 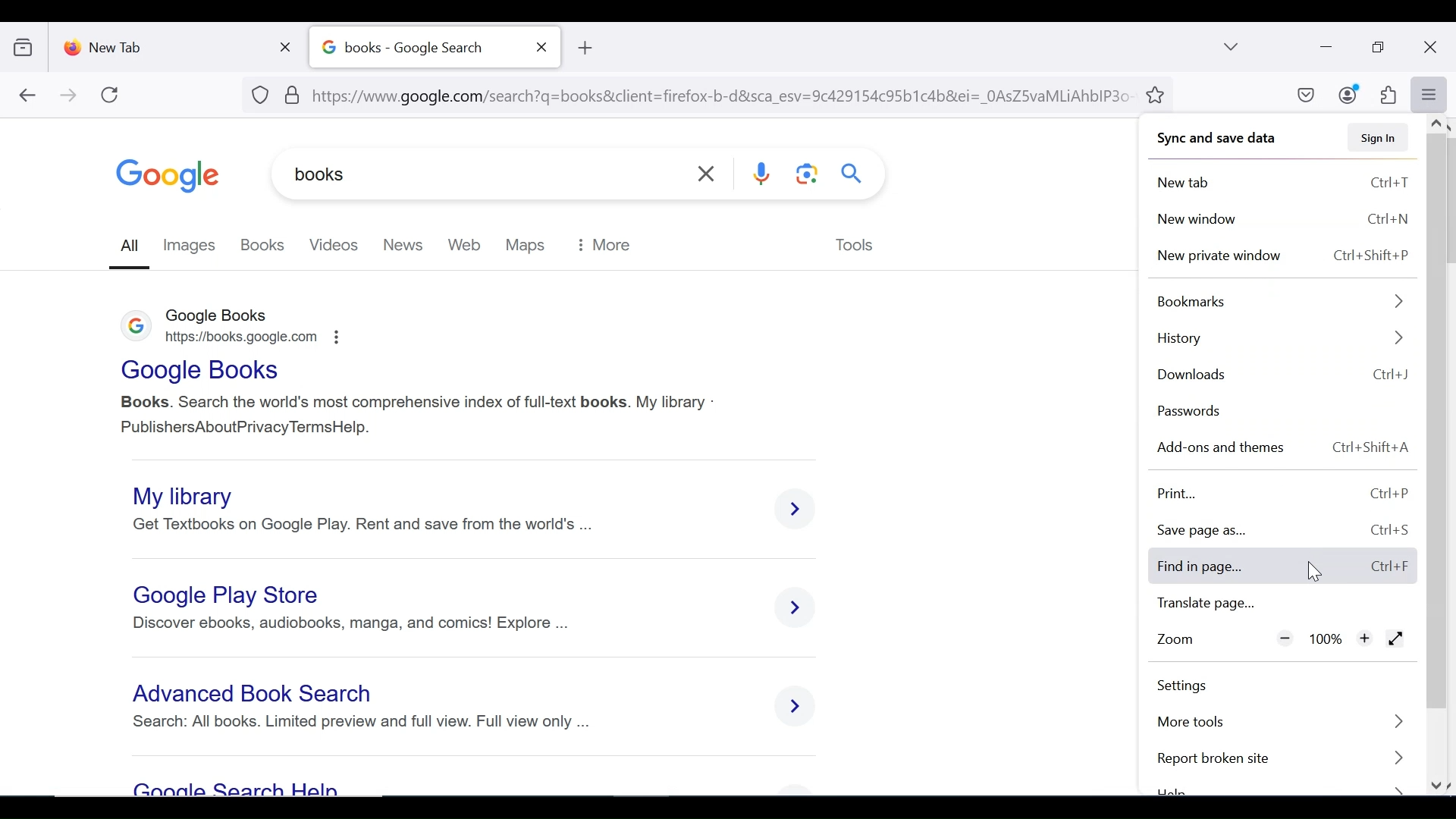 I want to click on https://books.google.com, so click(x=255, y=337).